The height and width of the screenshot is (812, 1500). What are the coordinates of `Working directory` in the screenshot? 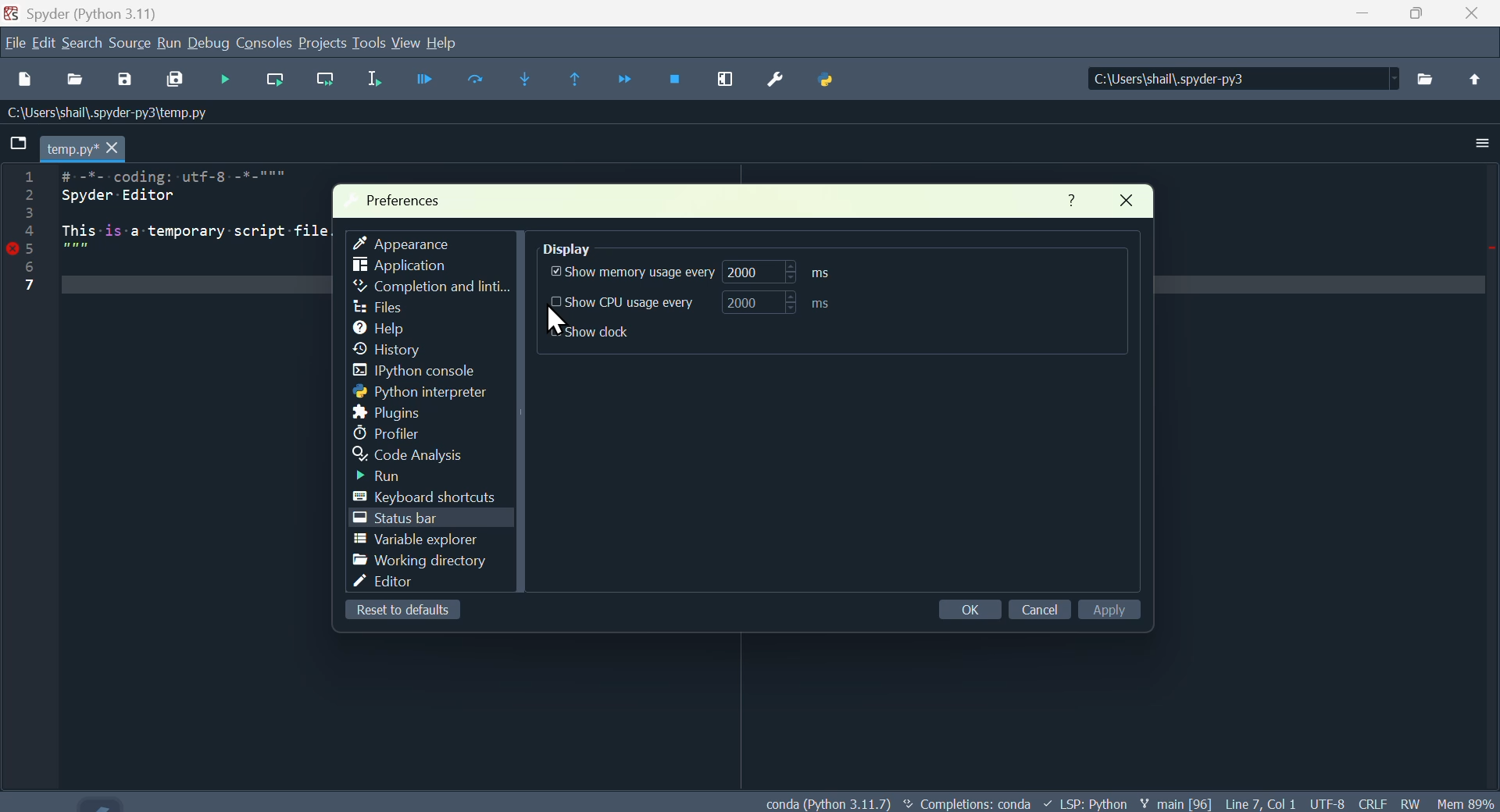 It's located at (416, 560).